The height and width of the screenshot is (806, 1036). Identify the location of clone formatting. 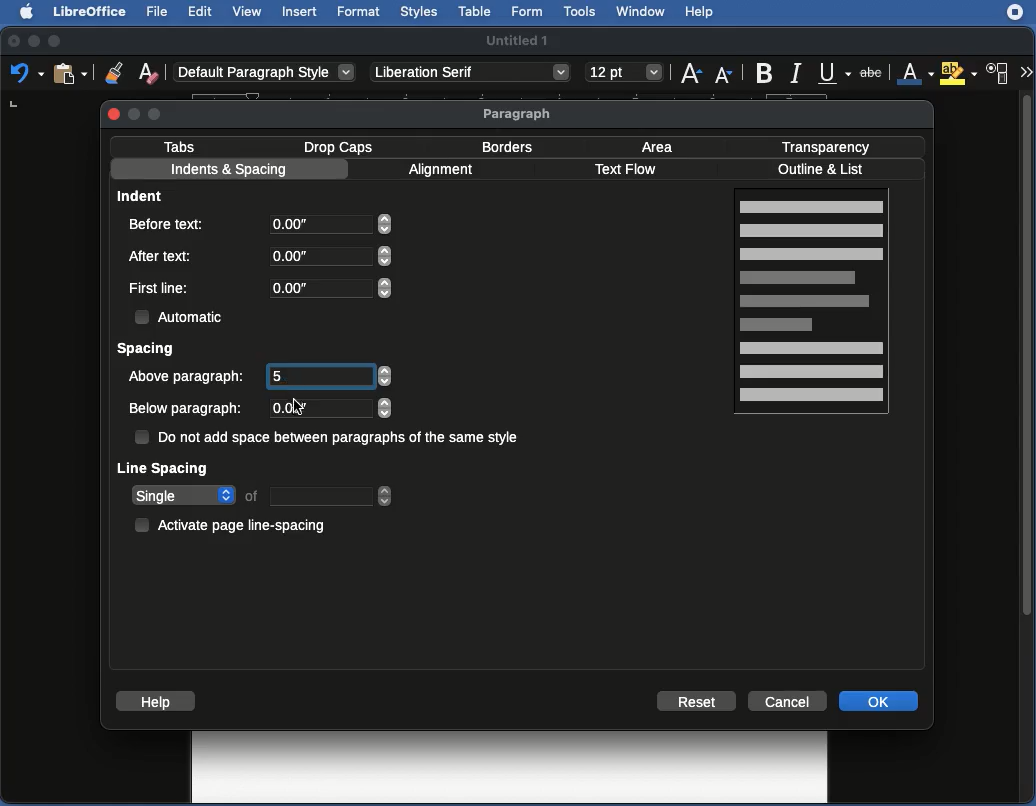
(108, 72).